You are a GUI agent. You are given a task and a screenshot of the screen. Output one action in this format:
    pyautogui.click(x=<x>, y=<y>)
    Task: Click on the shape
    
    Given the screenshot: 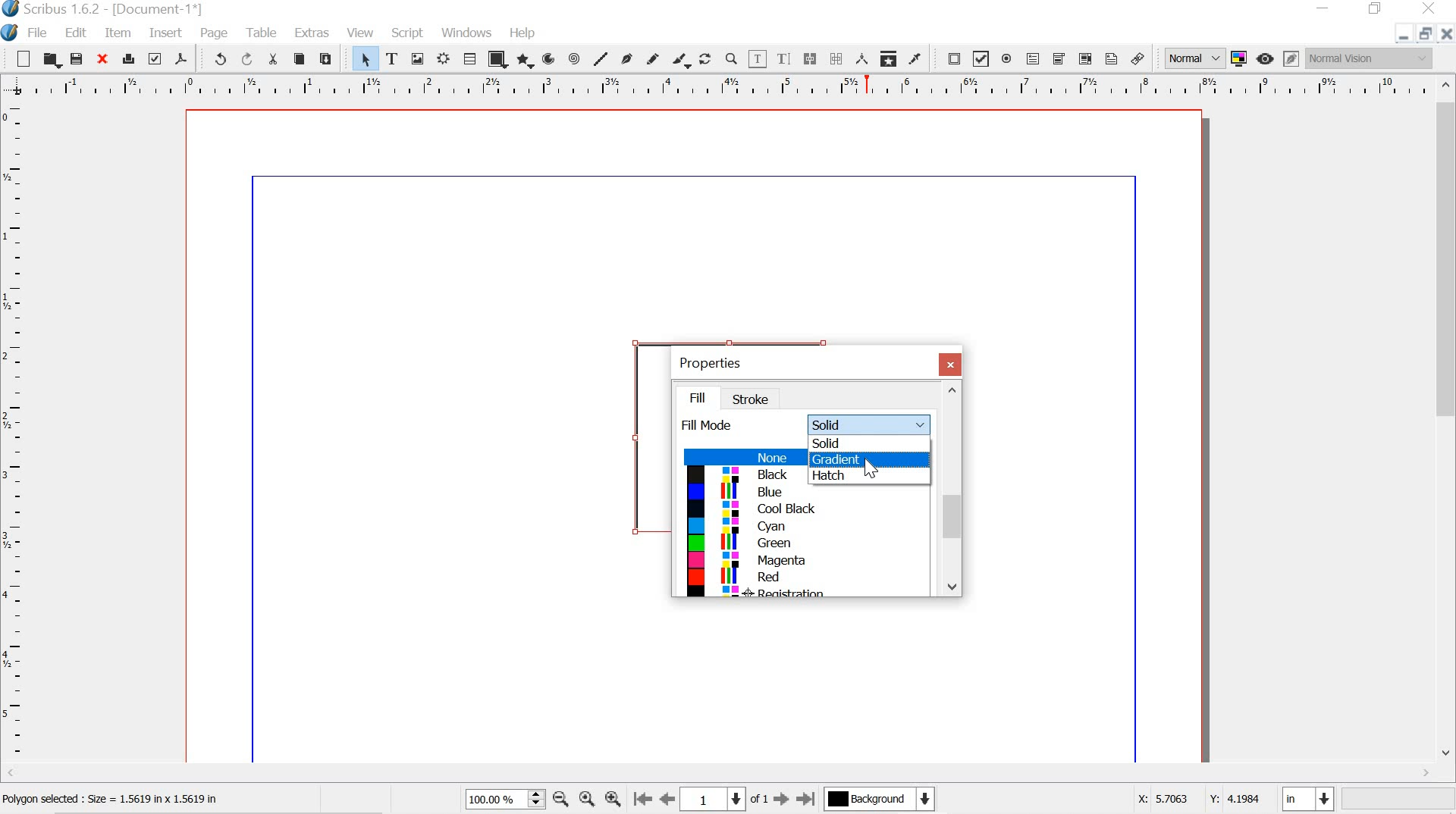 What is the action you would take?
    pyautogui.click(x=497, y=58)
    